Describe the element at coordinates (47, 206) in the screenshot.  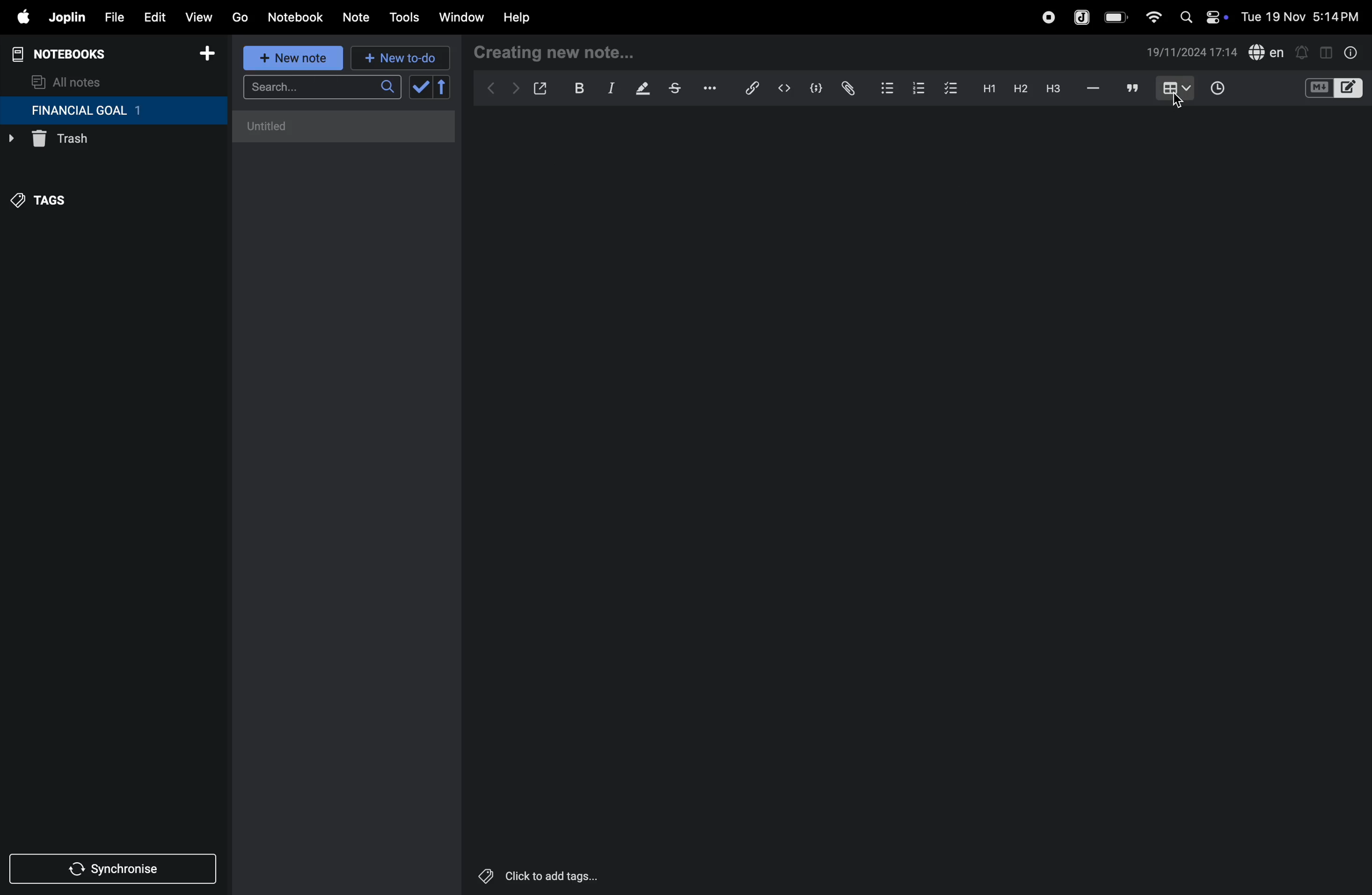
I see `tags` at that location.